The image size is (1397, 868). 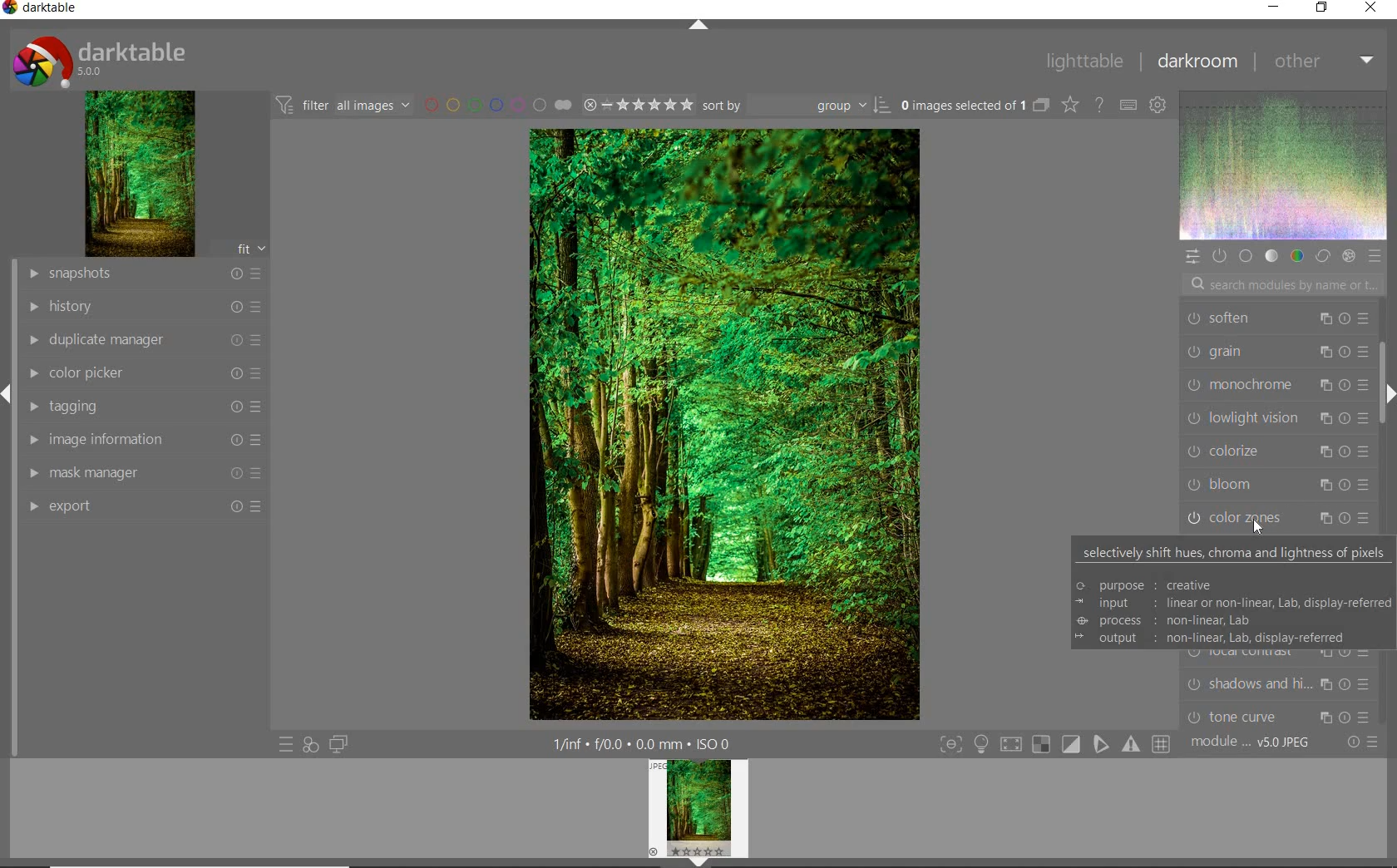 What do you see at coordinates (1283, 284) in the screenshot?
I see `SEARCH MODULES` at bounding box center [1283, 284].